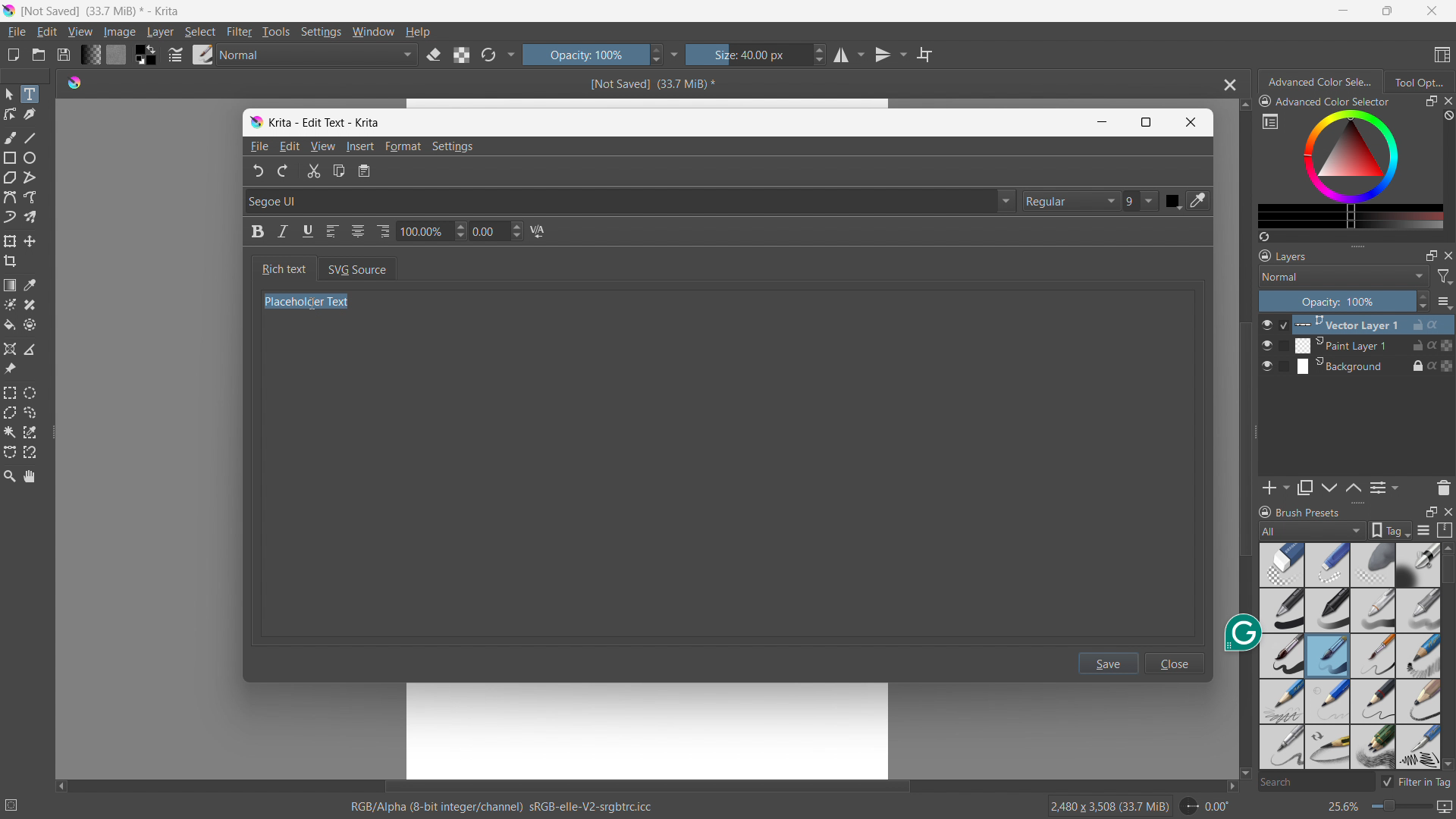  I want to click on cut, so click(313, 170).